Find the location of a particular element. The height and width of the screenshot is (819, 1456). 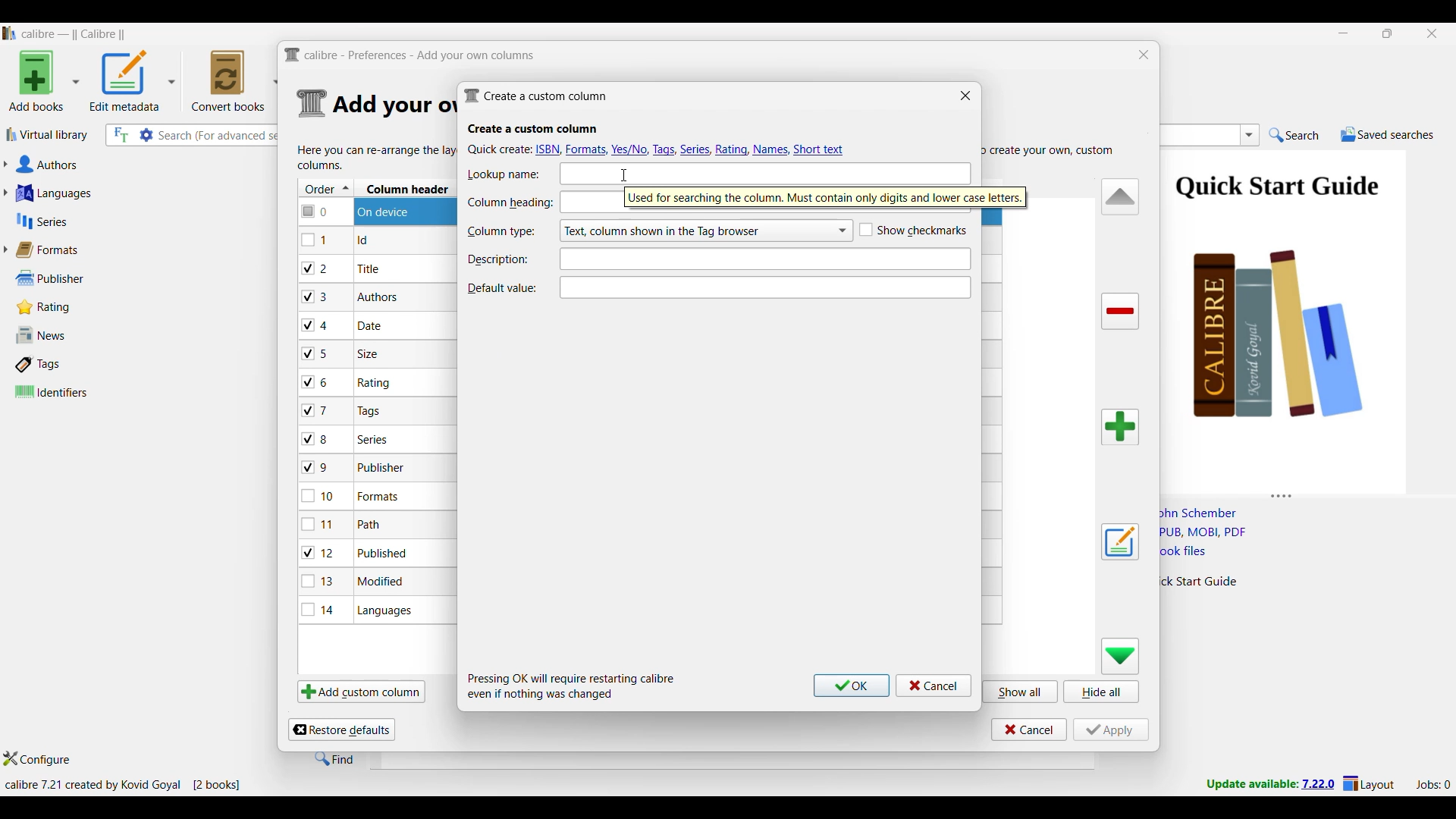

Text is located at coordinates (764, 260).